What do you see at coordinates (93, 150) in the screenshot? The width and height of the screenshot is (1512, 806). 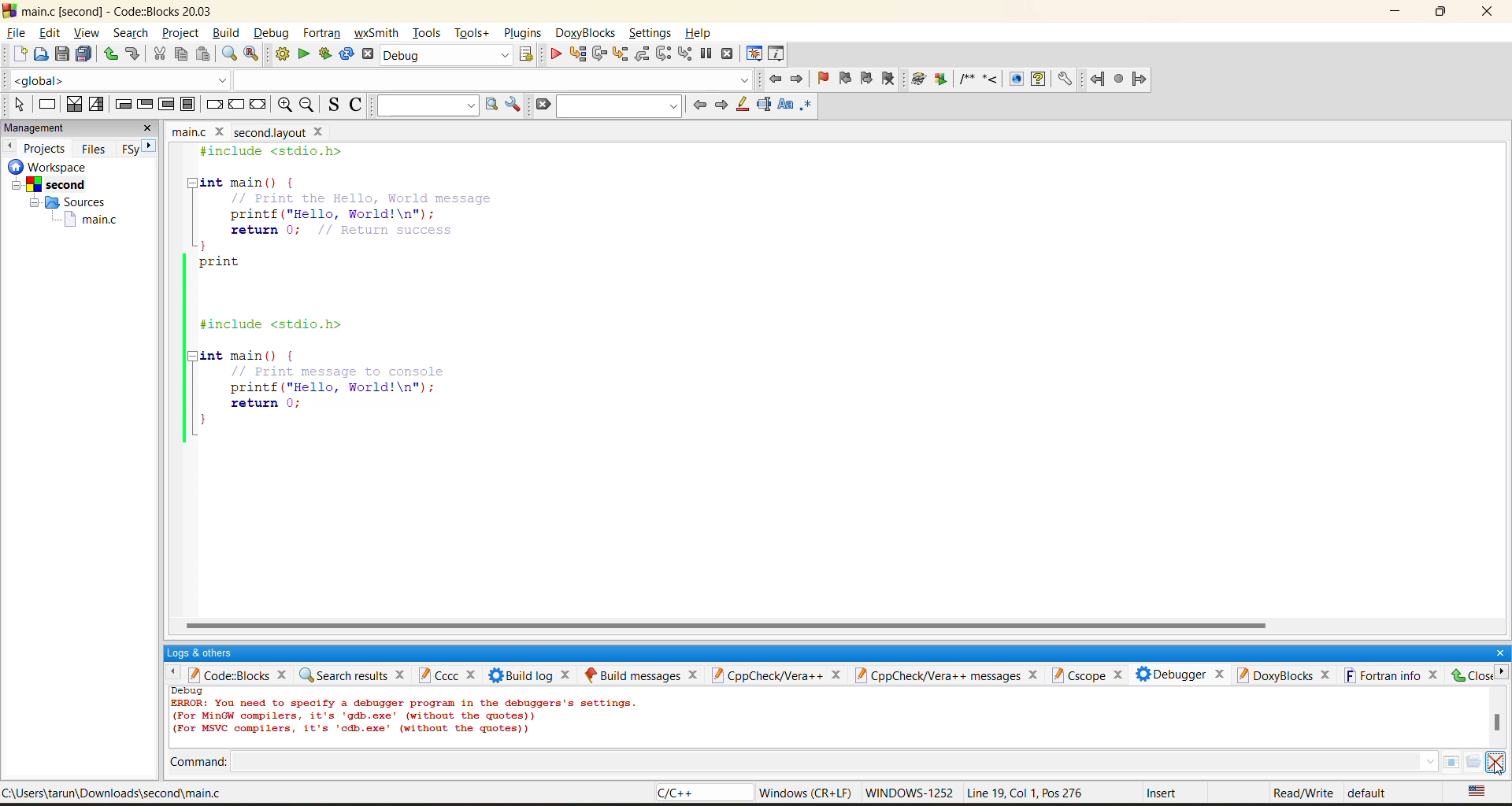 I see `files` at bounding box center [93, 150].